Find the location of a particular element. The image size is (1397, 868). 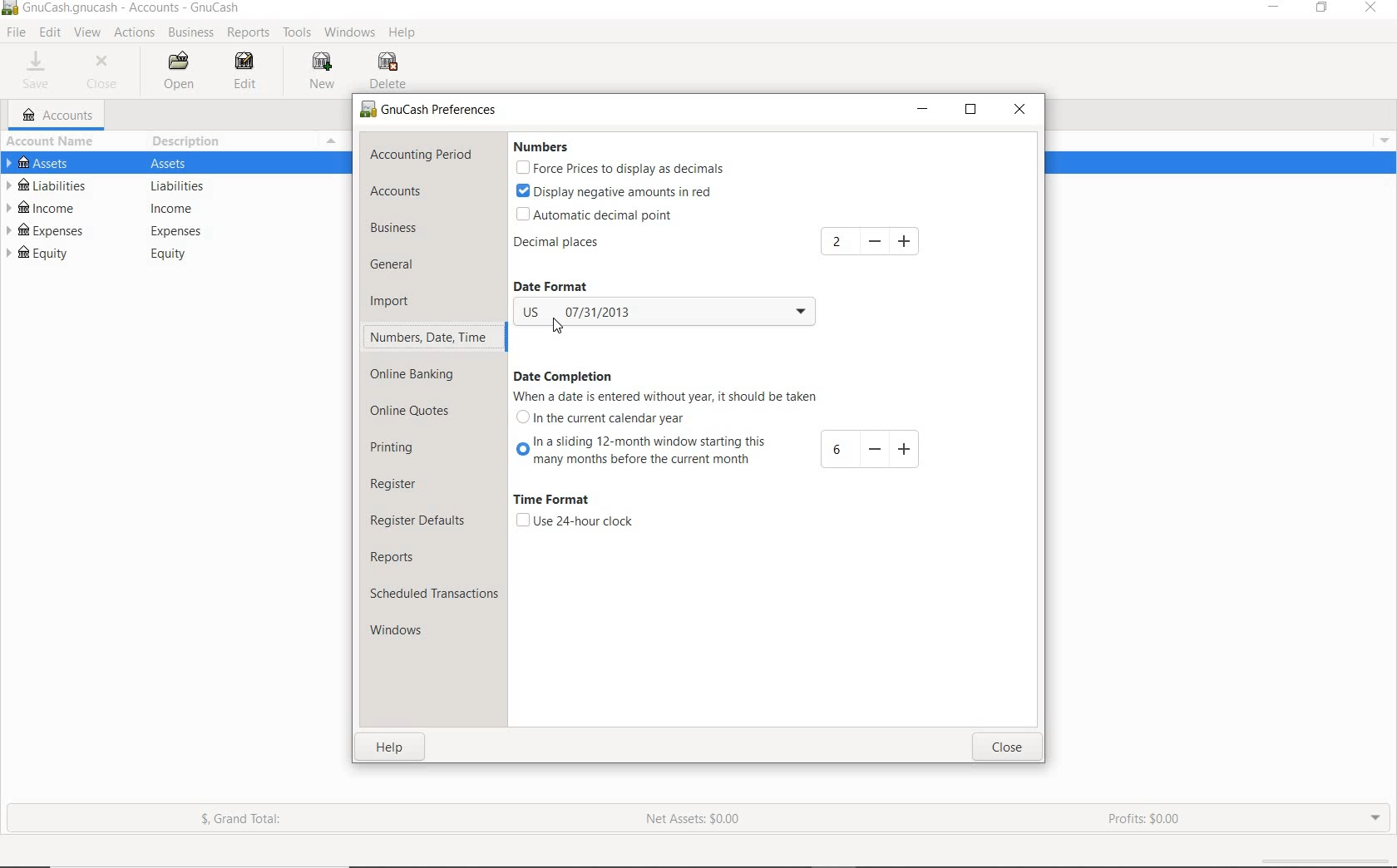

general is located at coordinates (402, 266).